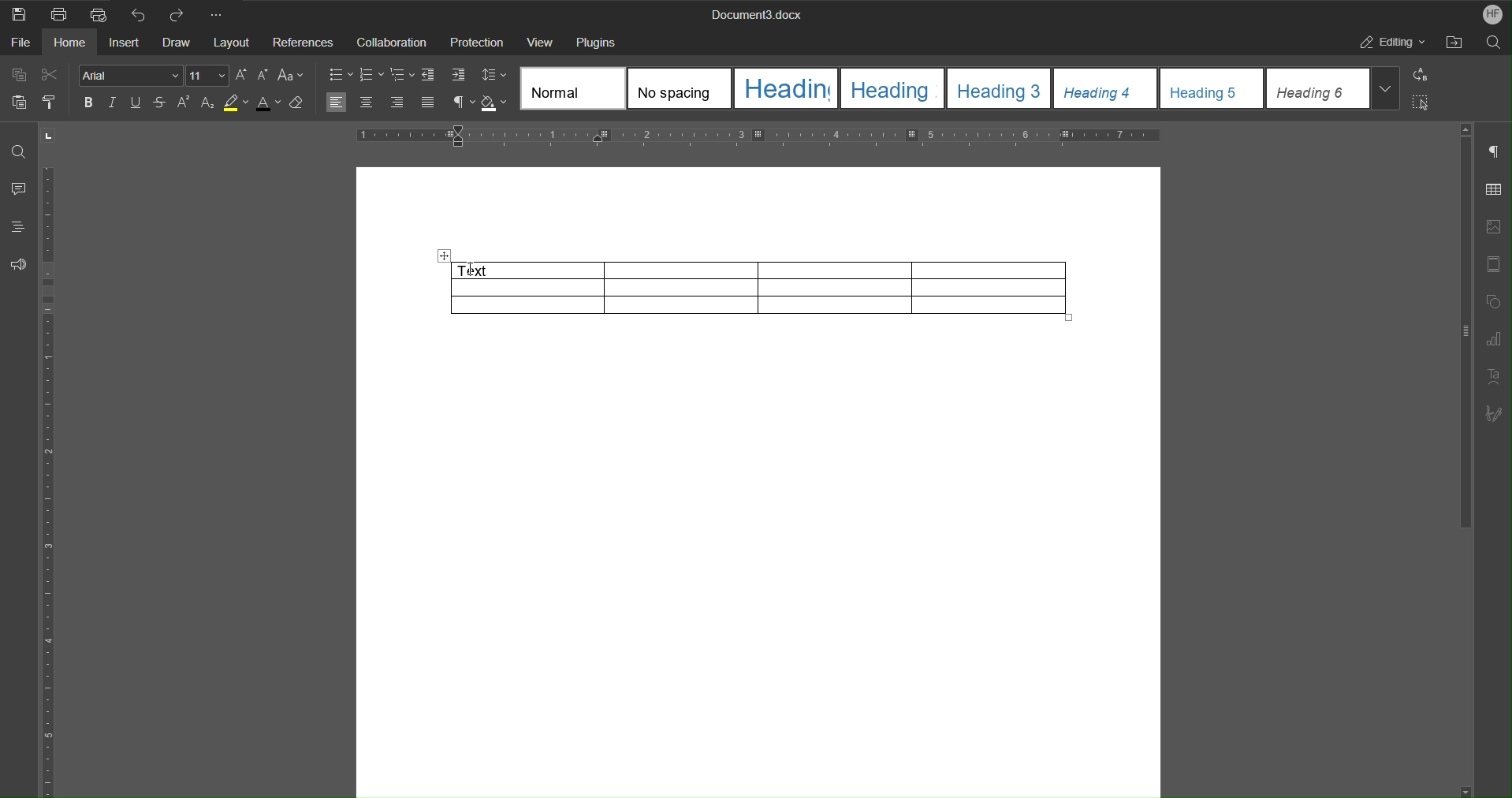 The height and width of the screenshot is (798, 1512). Describe the element at coordinates (1212, 89) in the screenshot. I see `Heading 5` at that location.